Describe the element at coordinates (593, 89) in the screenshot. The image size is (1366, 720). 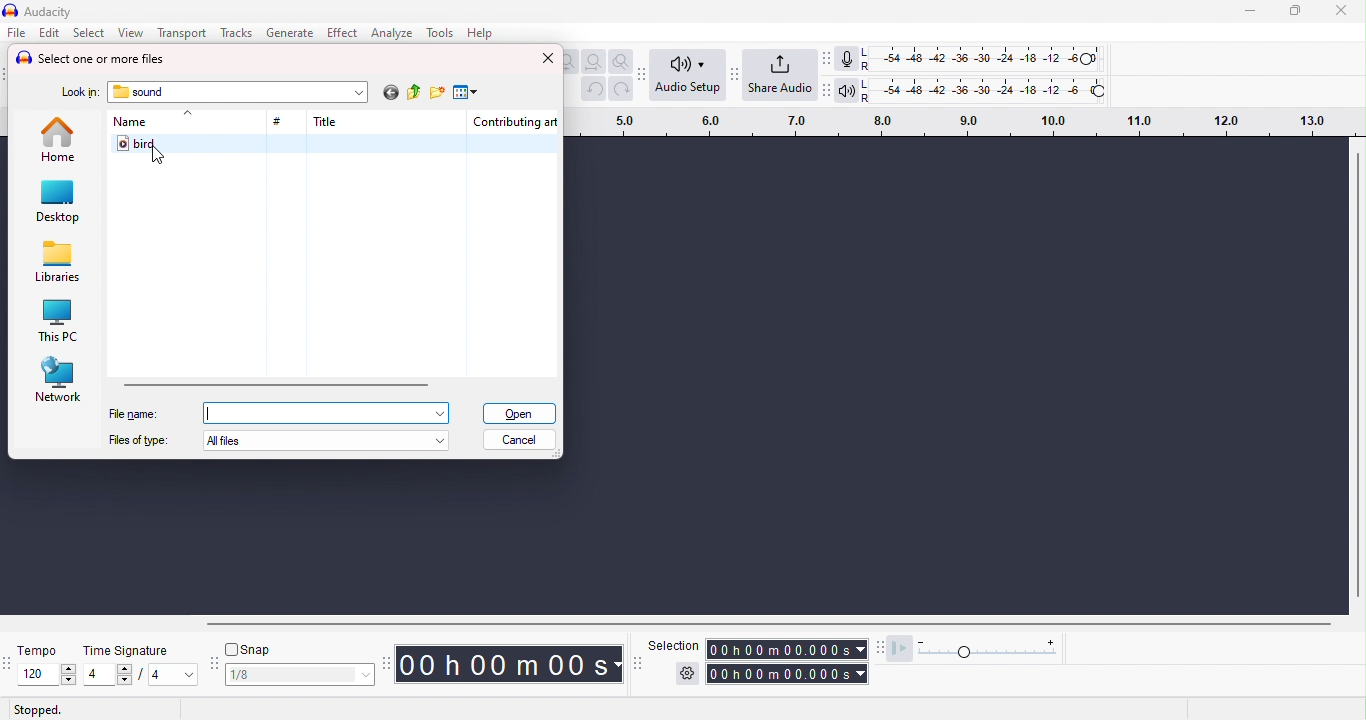
I see `undo` at that location.